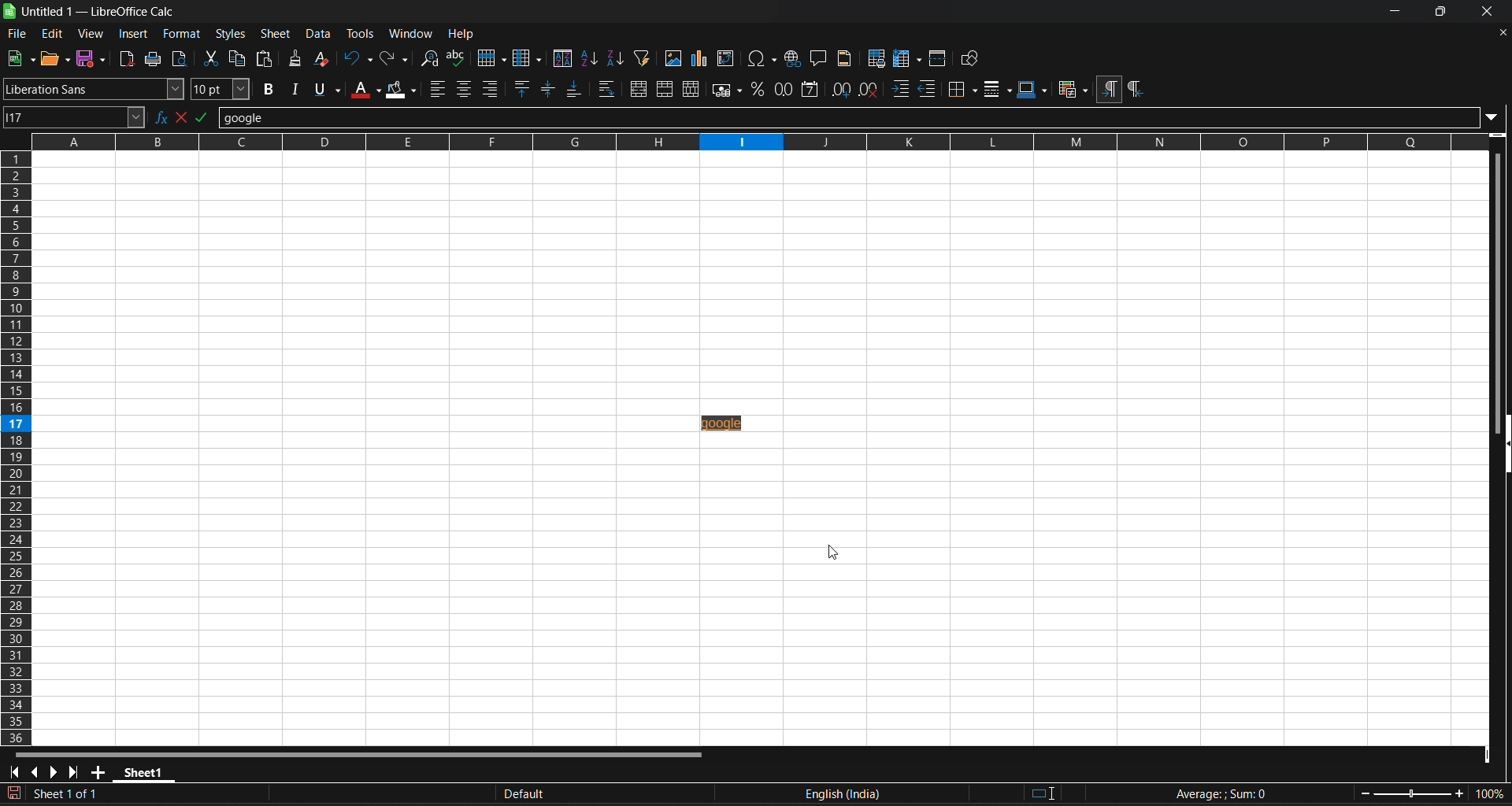  Describe the element at coordinates (157, 58) in the screenshot. I see `print` at that location.